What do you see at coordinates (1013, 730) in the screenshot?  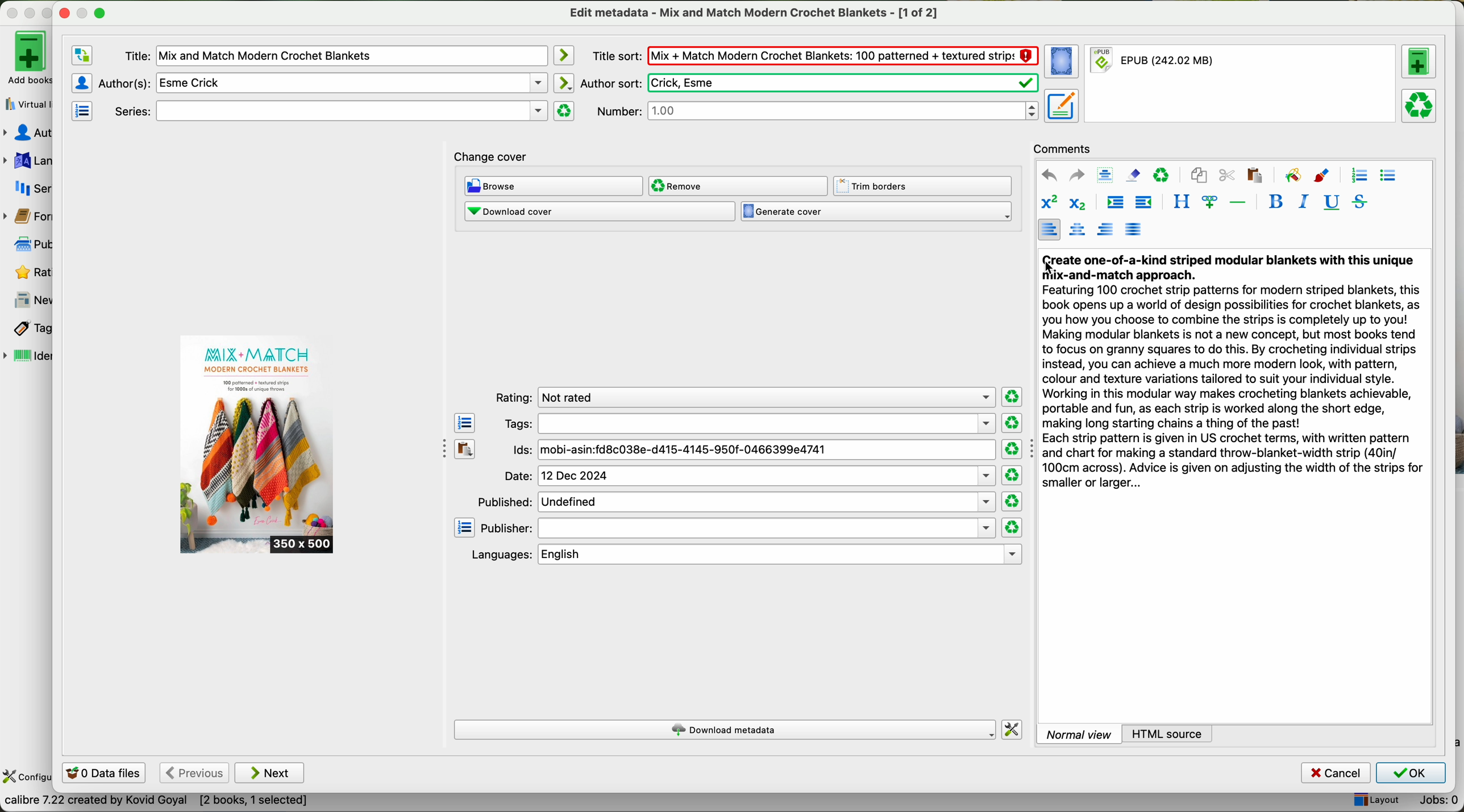 I see `change how calibre downloads metadata` at bounding box center [1013, 730].